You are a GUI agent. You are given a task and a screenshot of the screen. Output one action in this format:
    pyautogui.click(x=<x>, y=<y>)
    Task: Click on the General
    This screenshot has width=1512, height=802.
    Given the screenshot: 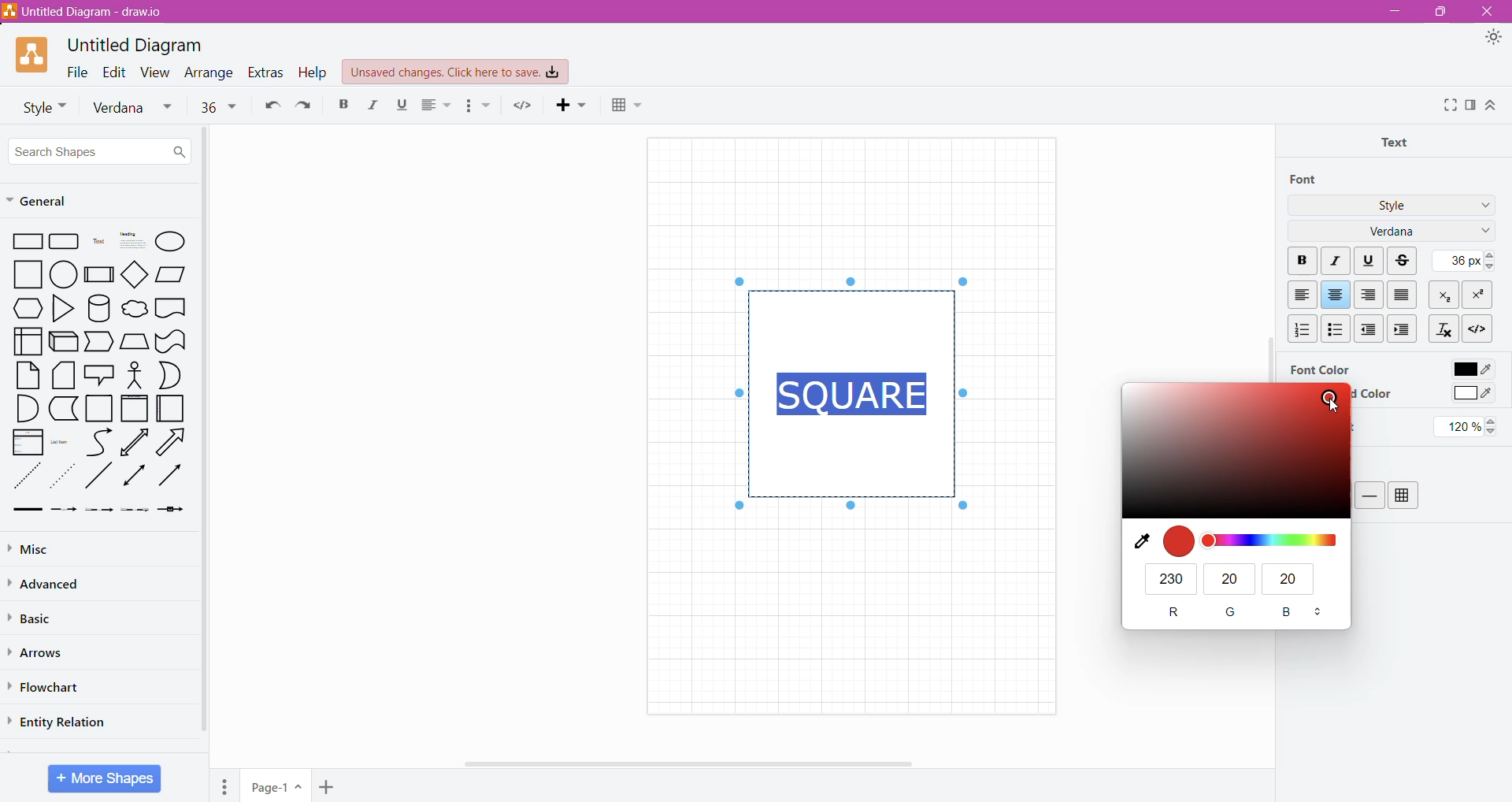 What is the action you would take?
    pyautogui.click(x=45, y=202)
    